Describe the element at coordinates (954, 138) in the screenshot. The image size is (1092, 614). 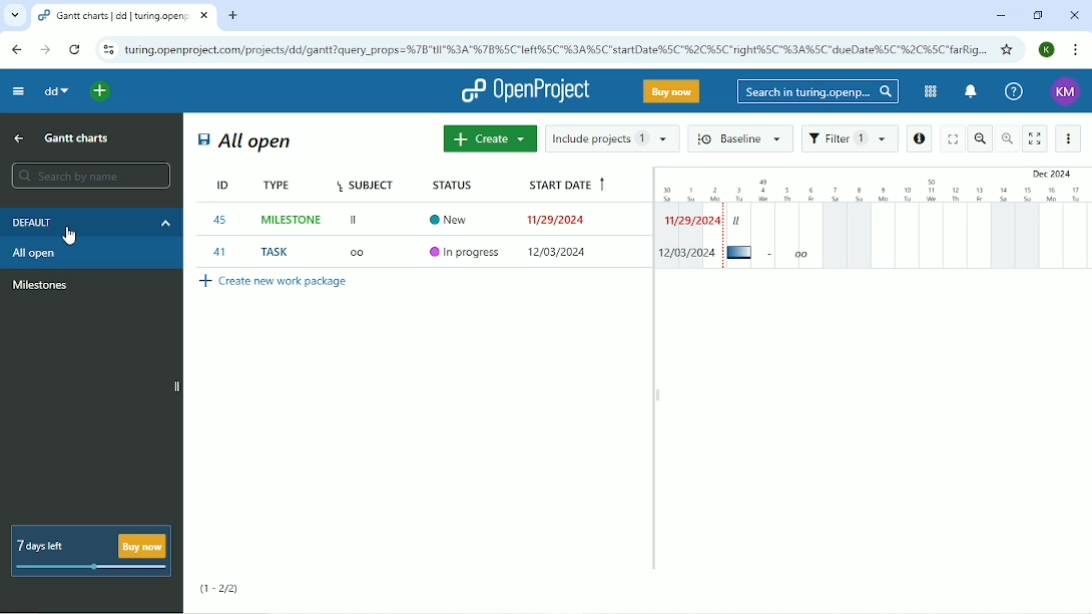
I see `Fullscreen` at that location.